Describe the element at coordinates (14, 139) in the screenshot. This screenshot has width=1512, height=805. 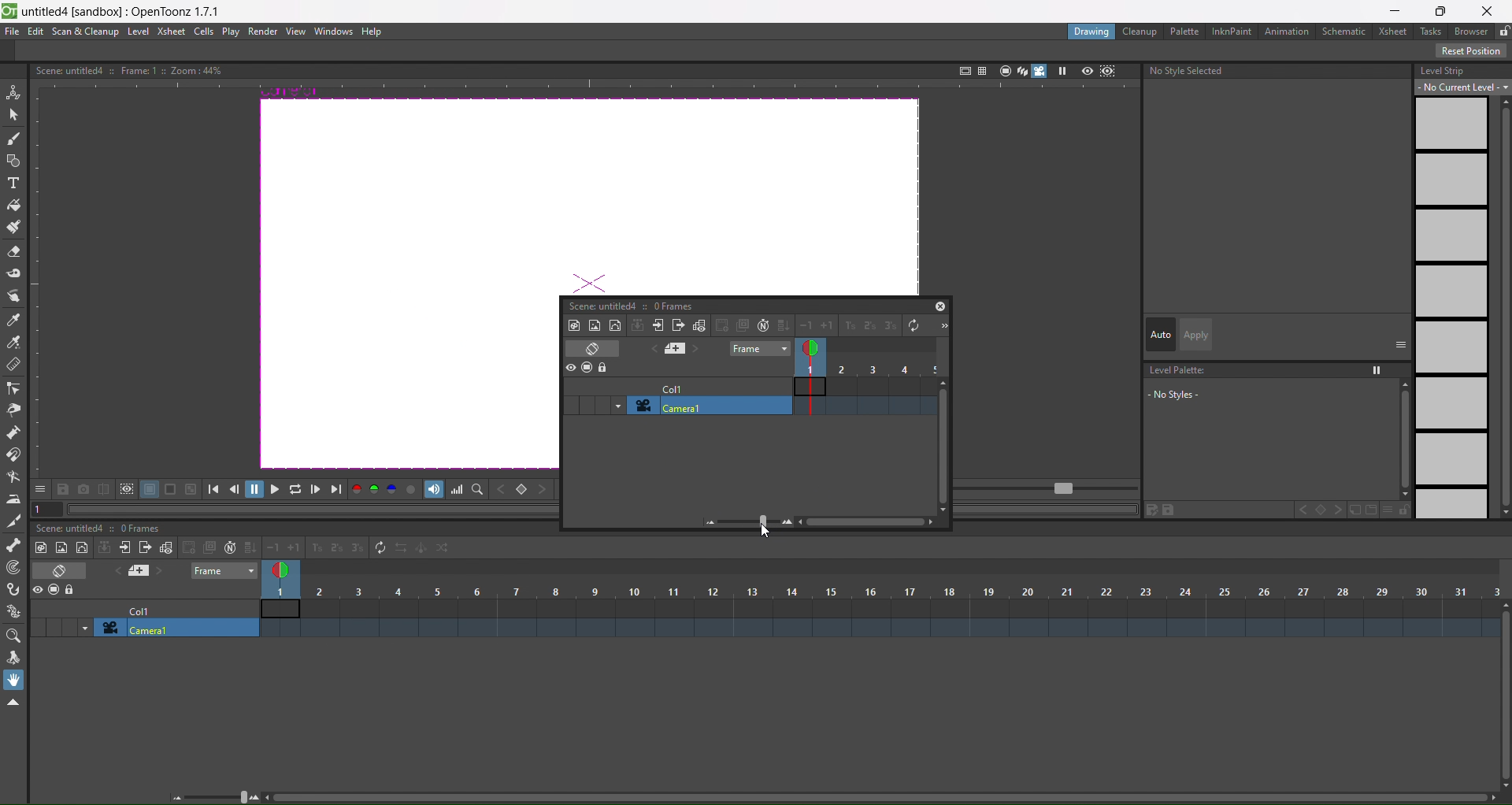
I see `brush tool` at that location.